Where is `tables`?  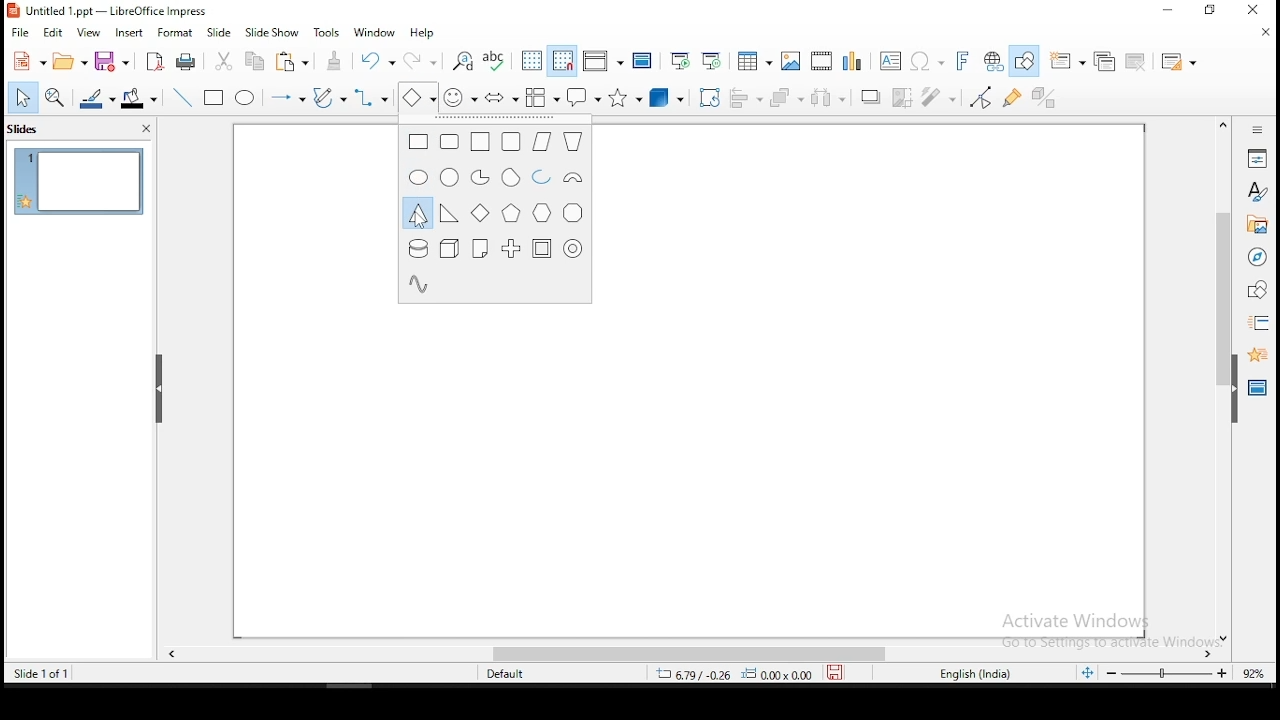
tables is located at coordinates (755, 61).